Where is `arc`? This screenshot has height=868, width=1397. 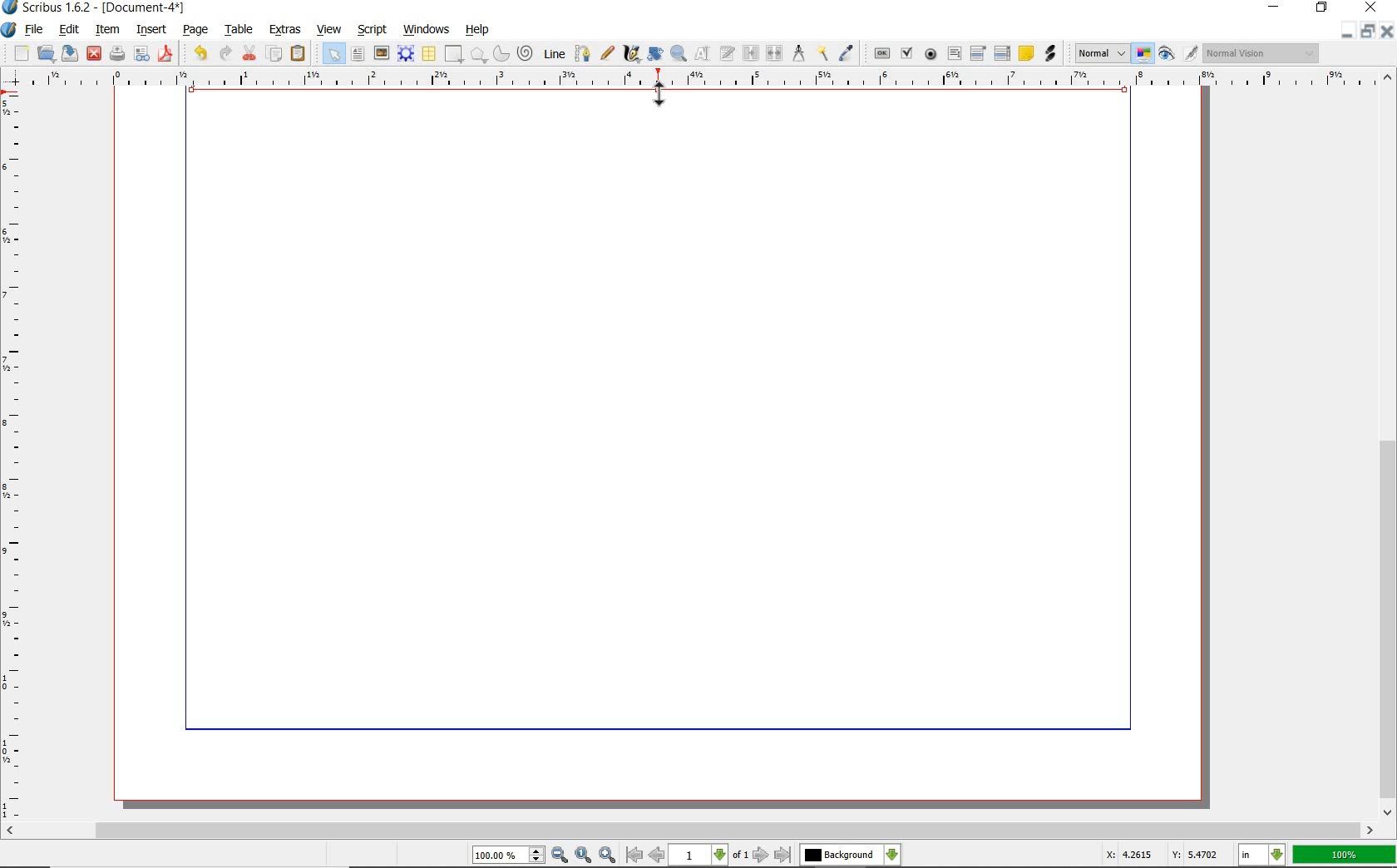 arc is located at coordinates (501, 52).